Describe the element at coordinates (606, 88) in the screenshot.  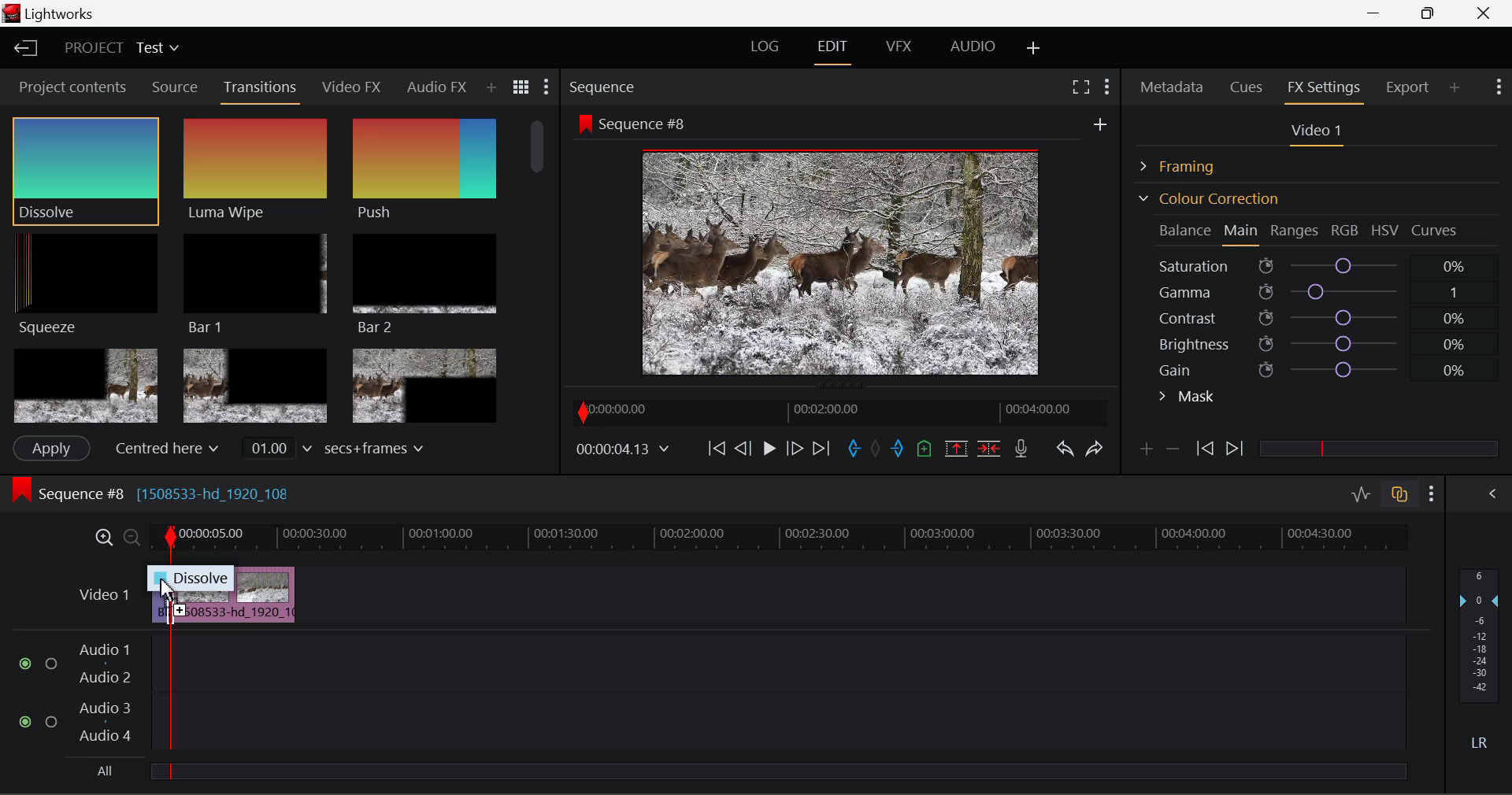
I see `Sequence Preview Section` at that location.